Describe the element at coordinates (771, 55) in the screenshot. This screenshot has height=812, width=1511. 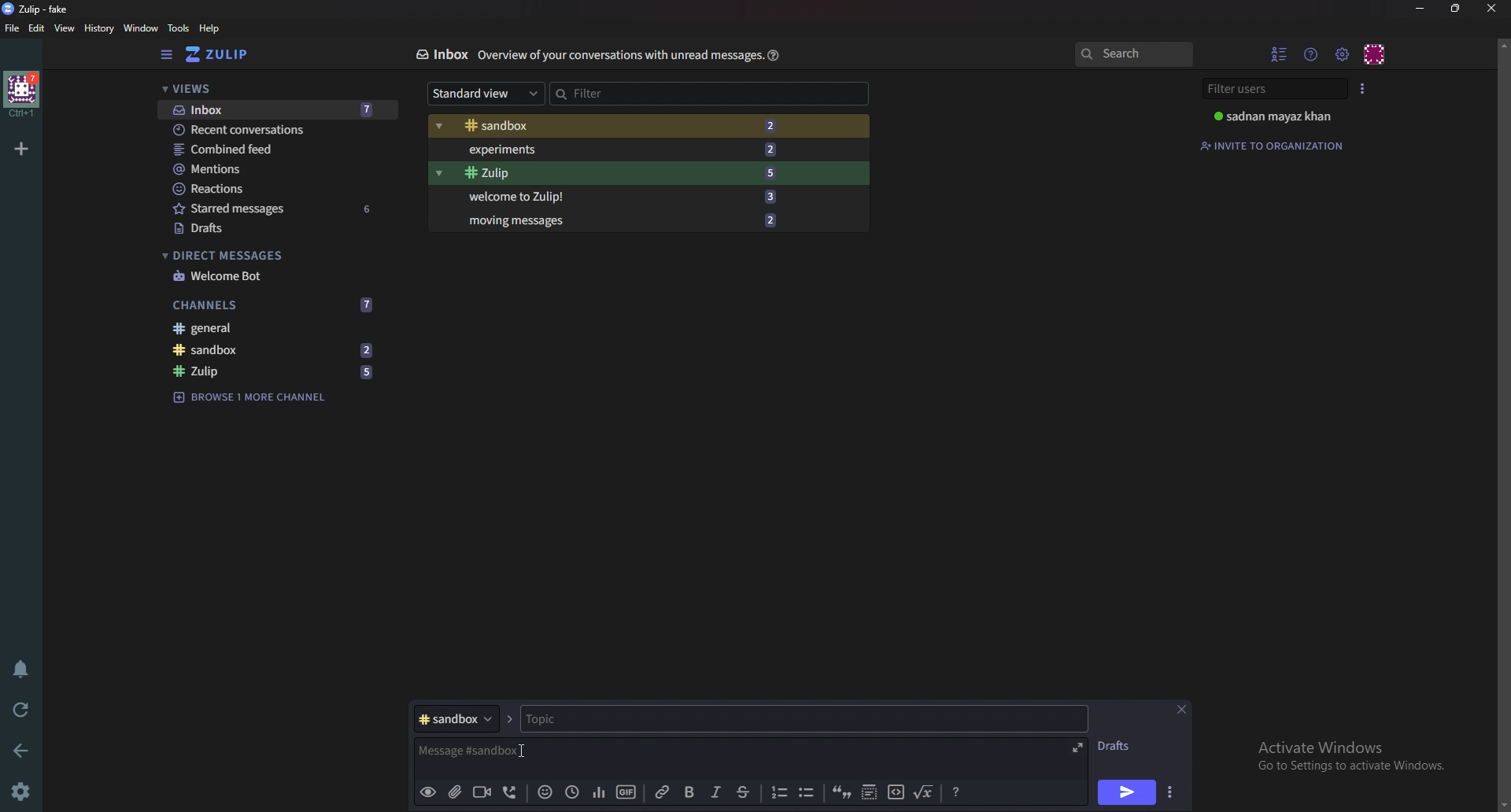
I see `Help` at that location.